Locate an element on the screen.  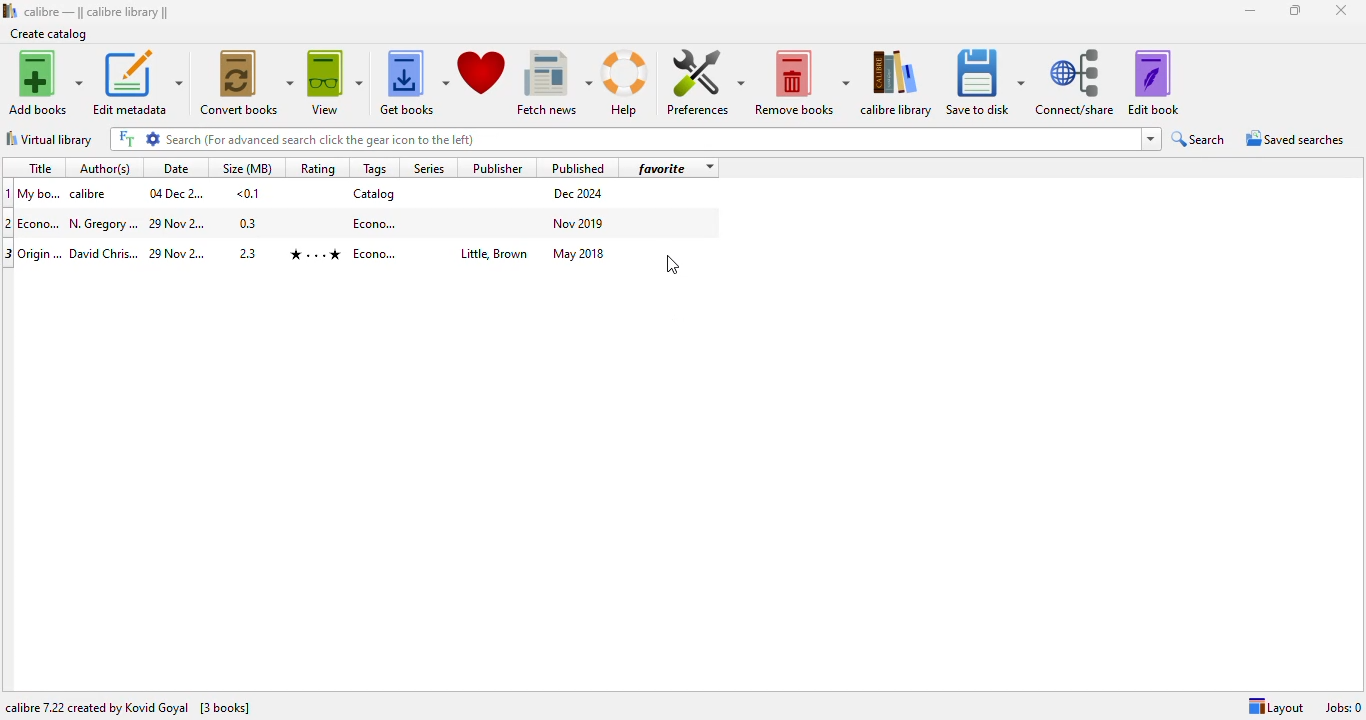
catalog is located at coordinates (374, 193).